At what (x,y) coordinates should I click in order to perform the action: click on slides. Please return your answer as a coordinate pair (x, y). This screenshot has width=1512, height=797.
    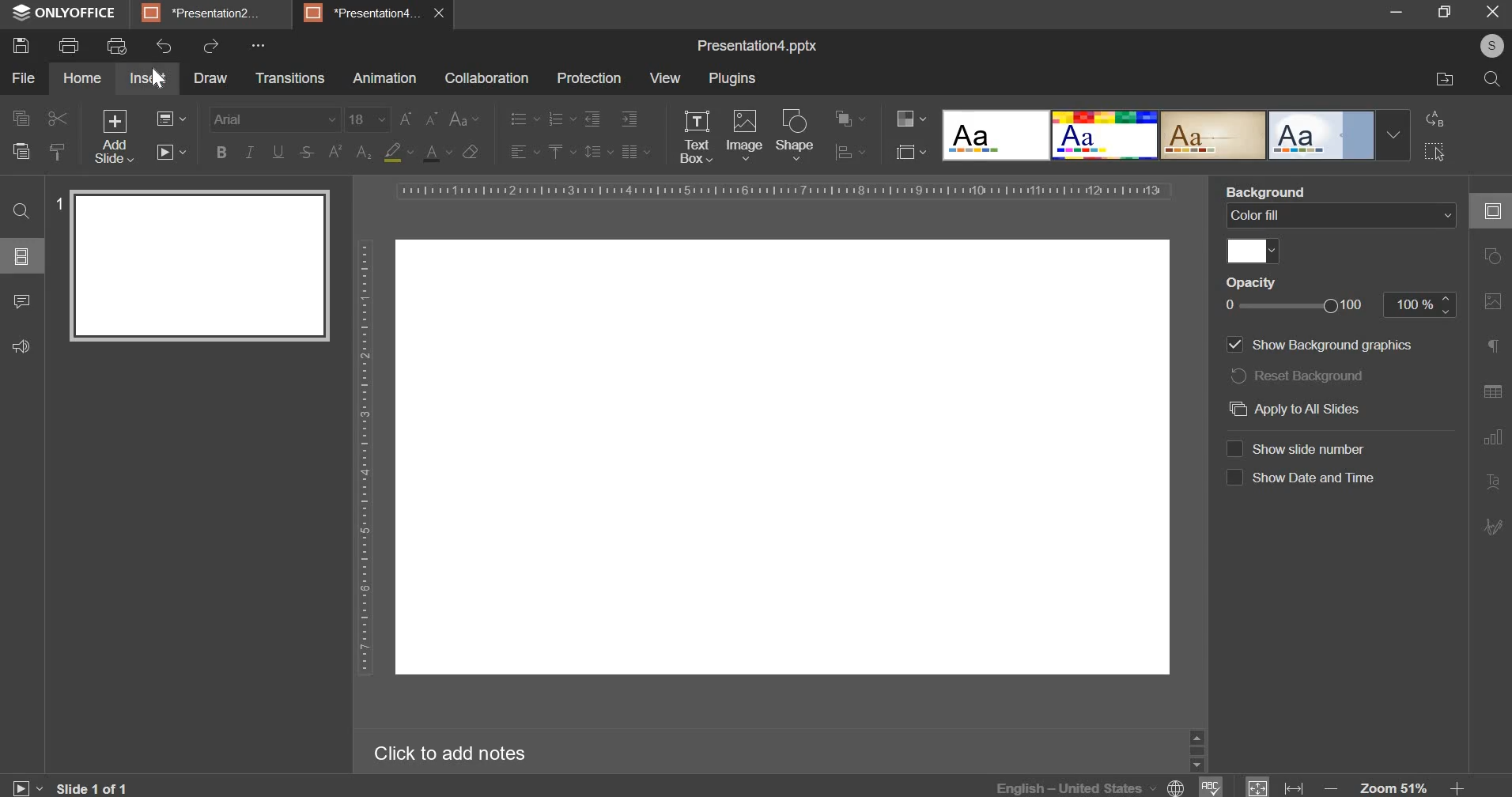
    Looking at the image, I should click on (22, 256).